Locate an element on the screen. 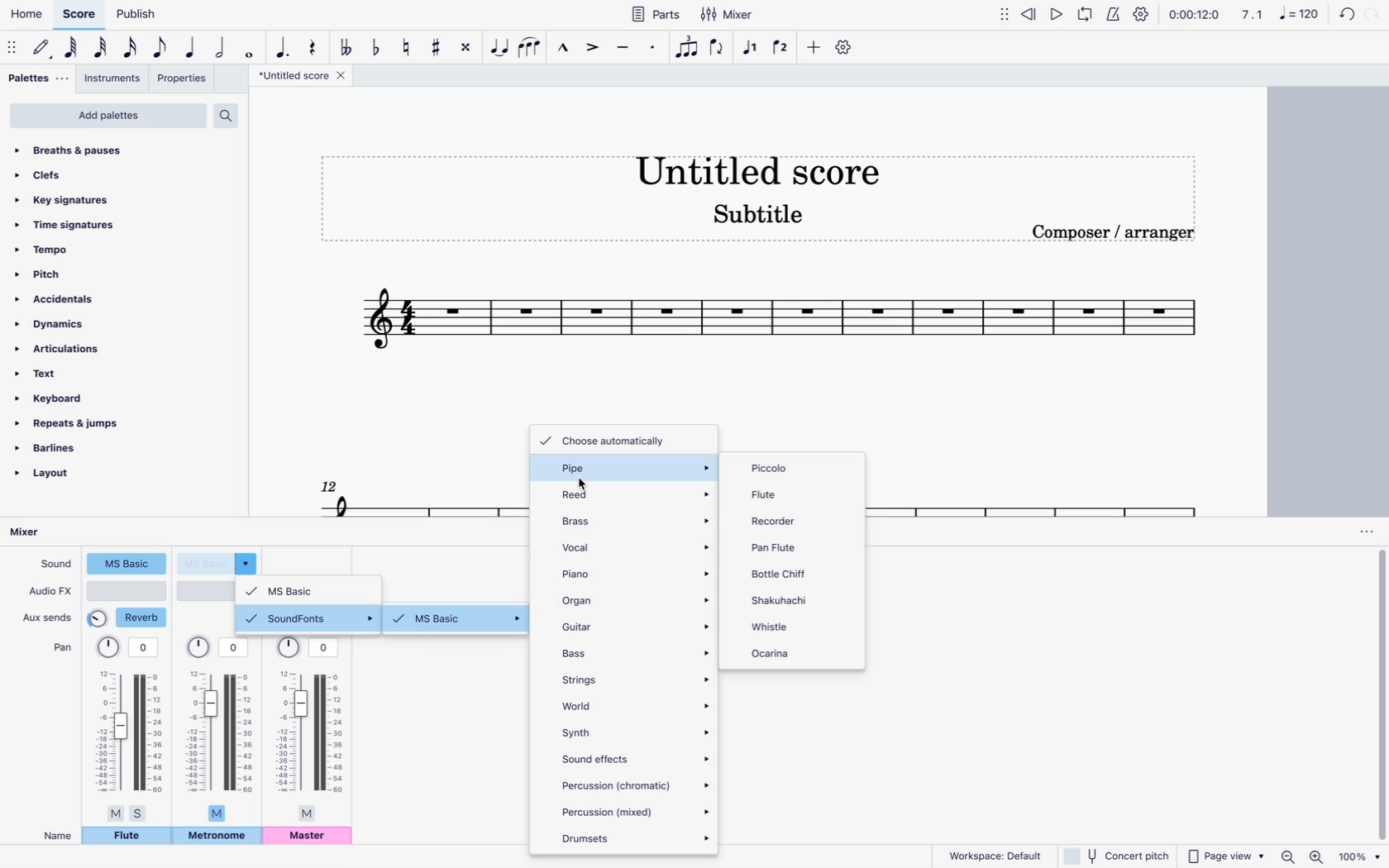  eight note is located at coordinates (161, 47).